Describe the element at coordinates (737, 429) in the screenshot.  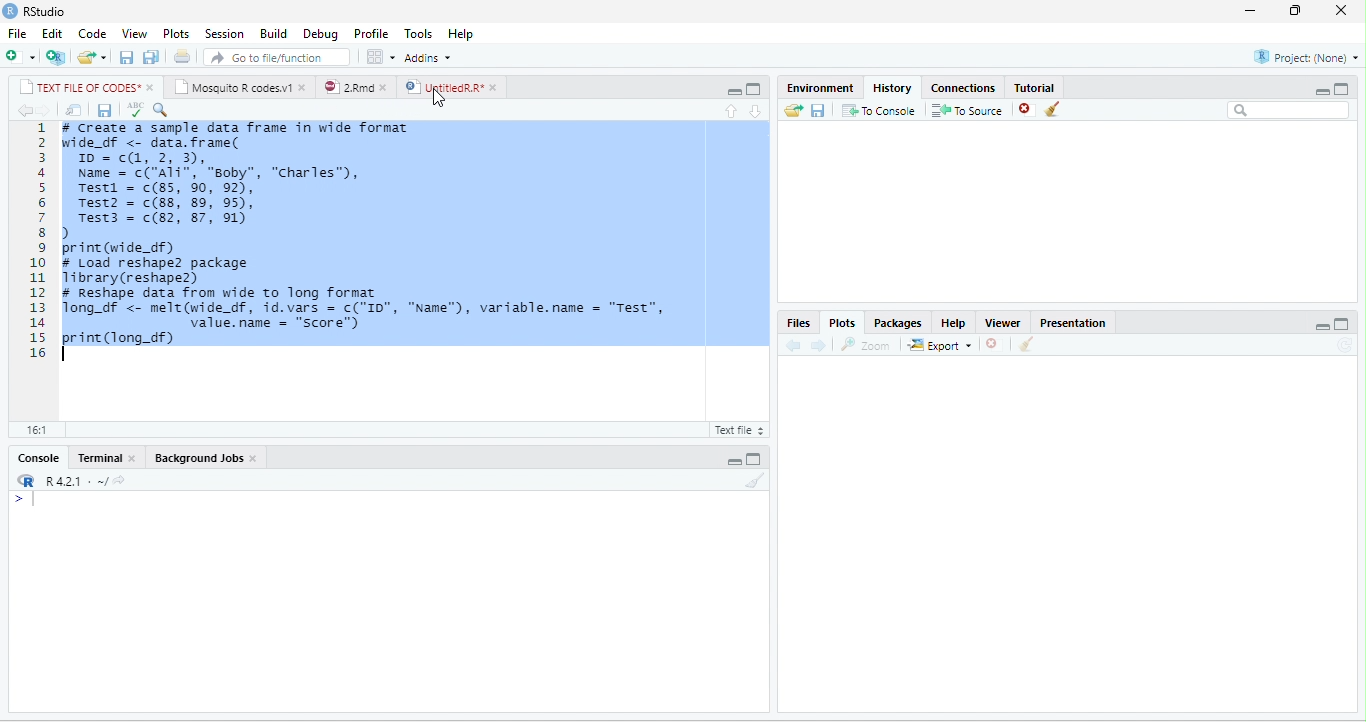
I see `Text file` at that location.